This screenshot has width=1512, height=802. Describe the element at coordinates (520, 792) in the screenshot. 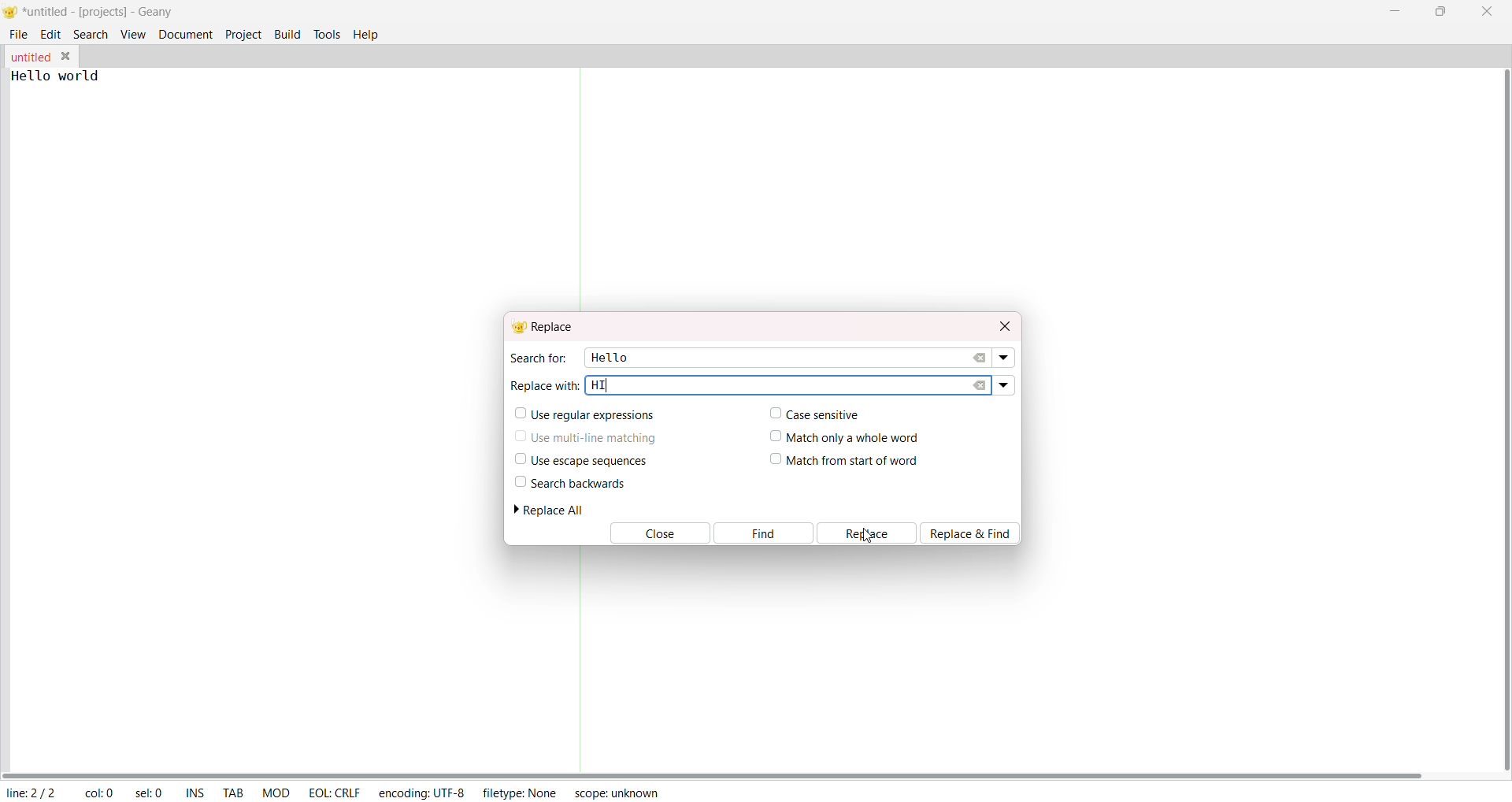

I see `filetype: NONE` at that location.